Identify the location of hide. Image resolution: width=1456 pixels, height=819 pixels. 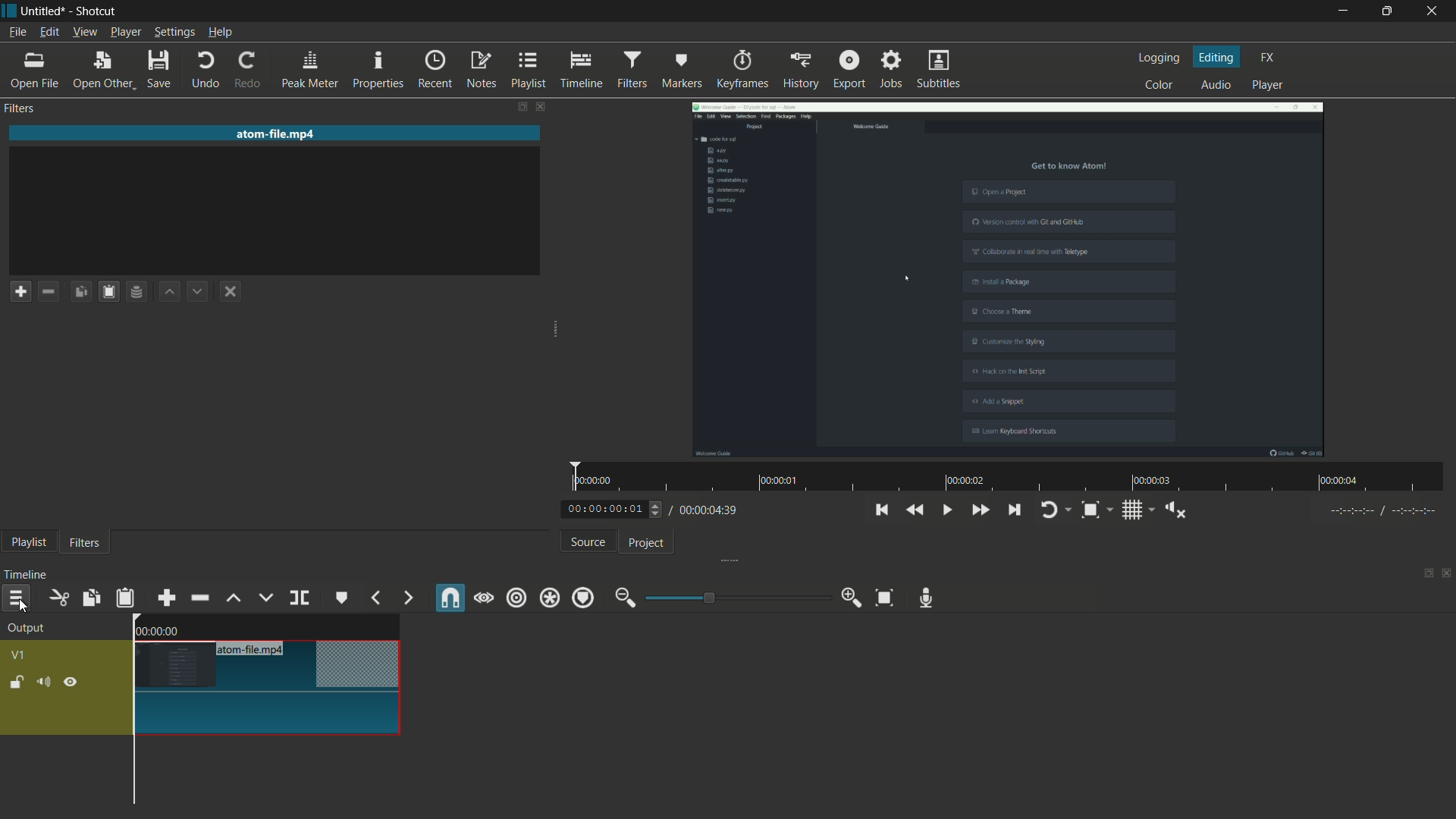
(71, 683).